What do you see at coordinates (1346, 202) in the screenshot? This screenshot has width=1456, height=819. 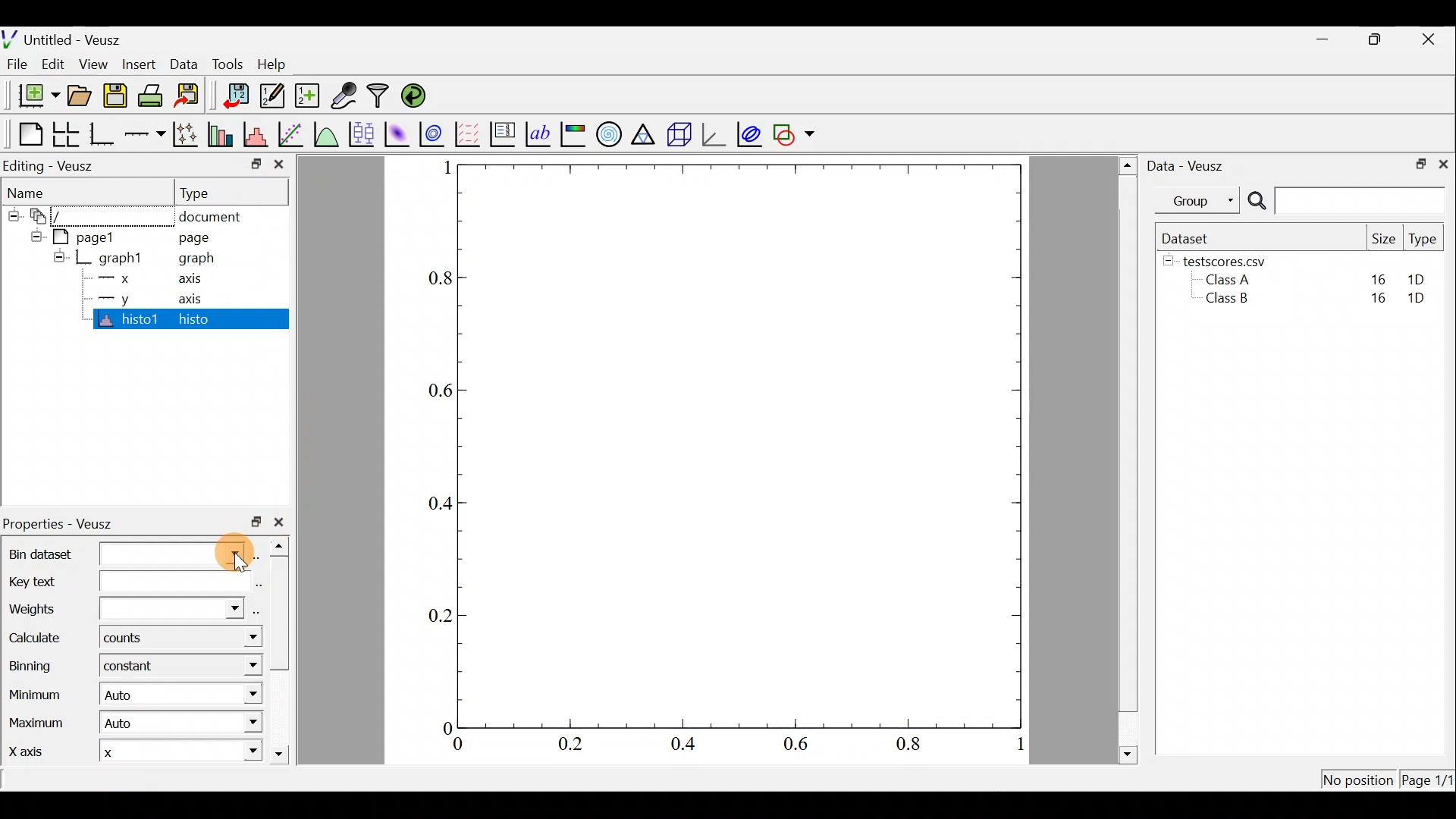 I see `Search bar` at bounding box center [1346, 202].